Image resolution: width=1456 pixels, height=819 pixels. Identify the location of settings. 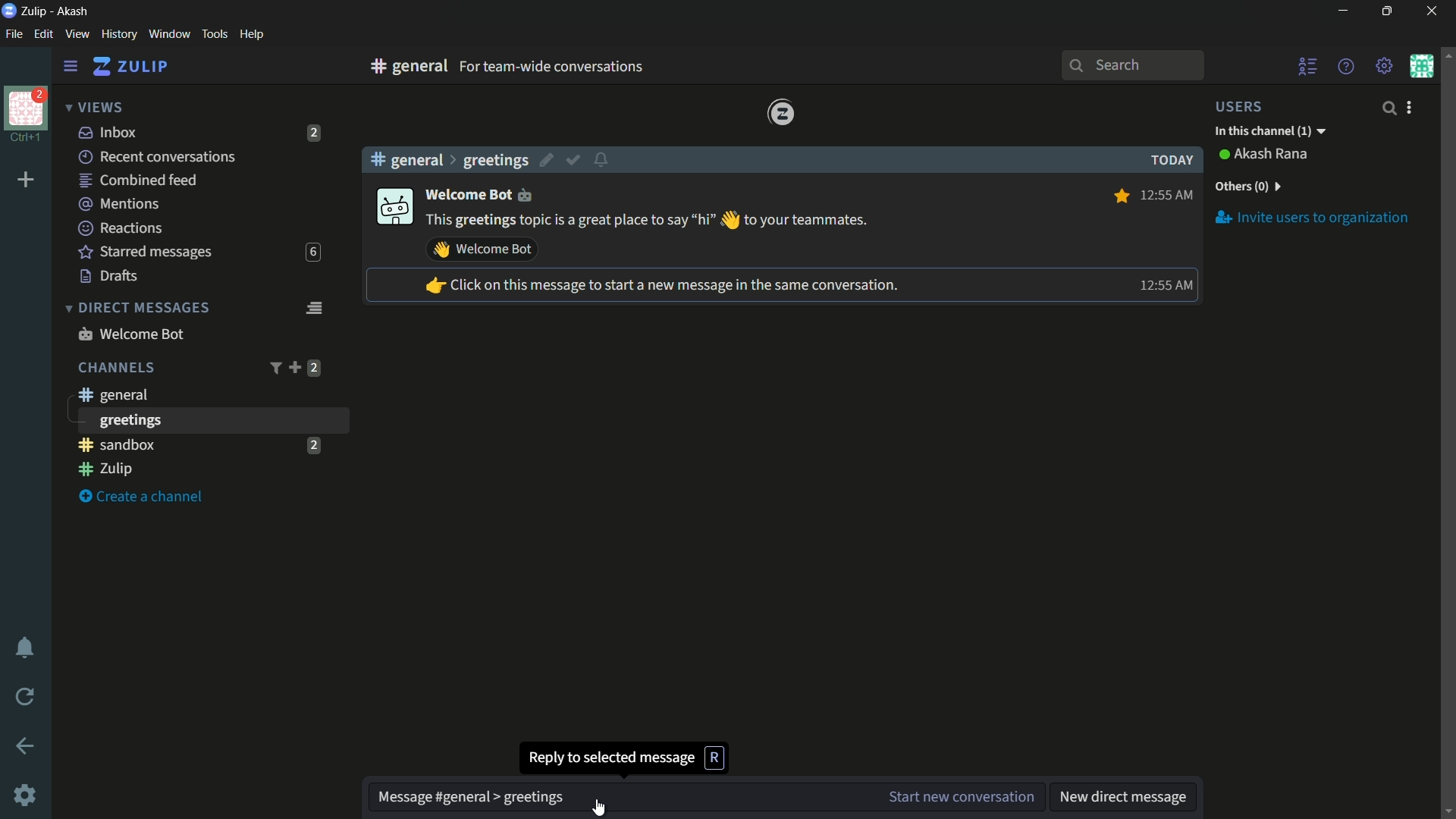
(71, 67).